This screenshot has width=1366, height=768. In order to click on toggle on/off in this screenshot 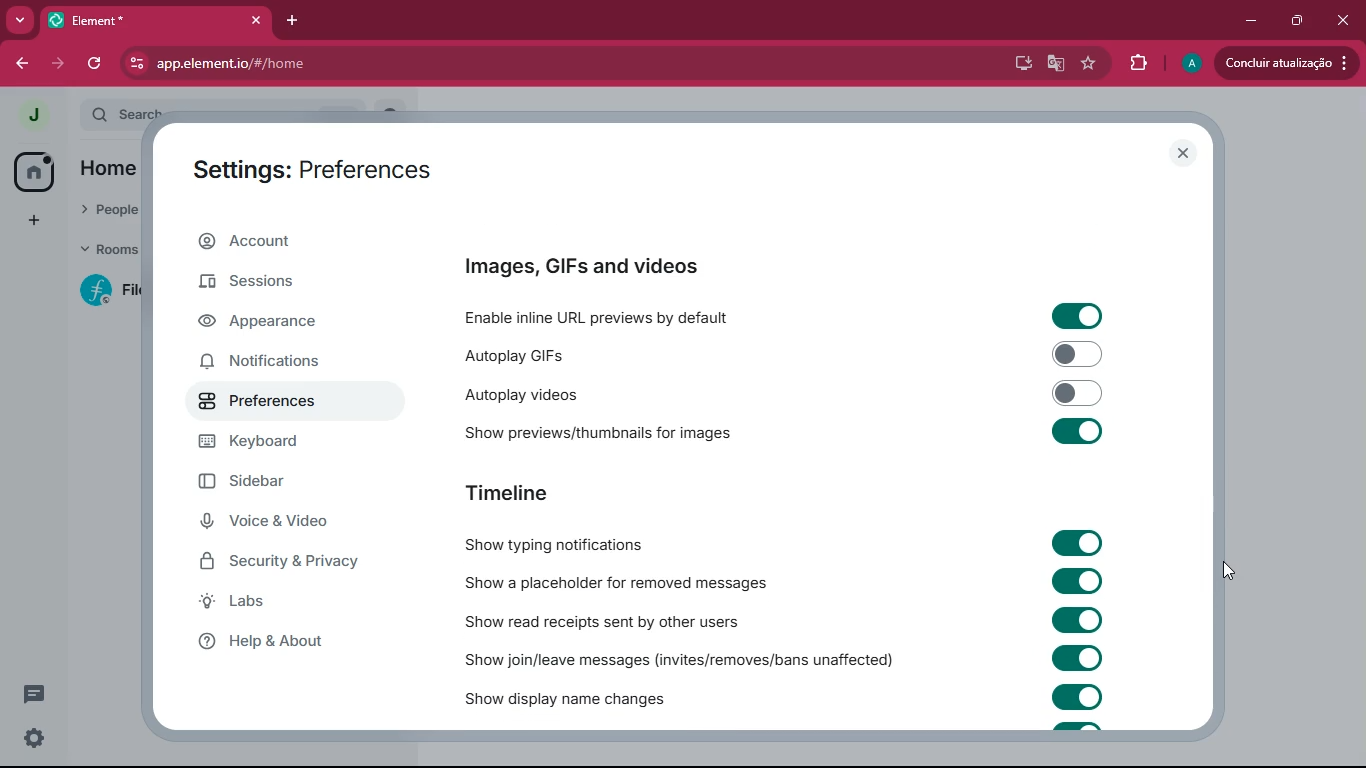, I will do `click(1079, 581)`.